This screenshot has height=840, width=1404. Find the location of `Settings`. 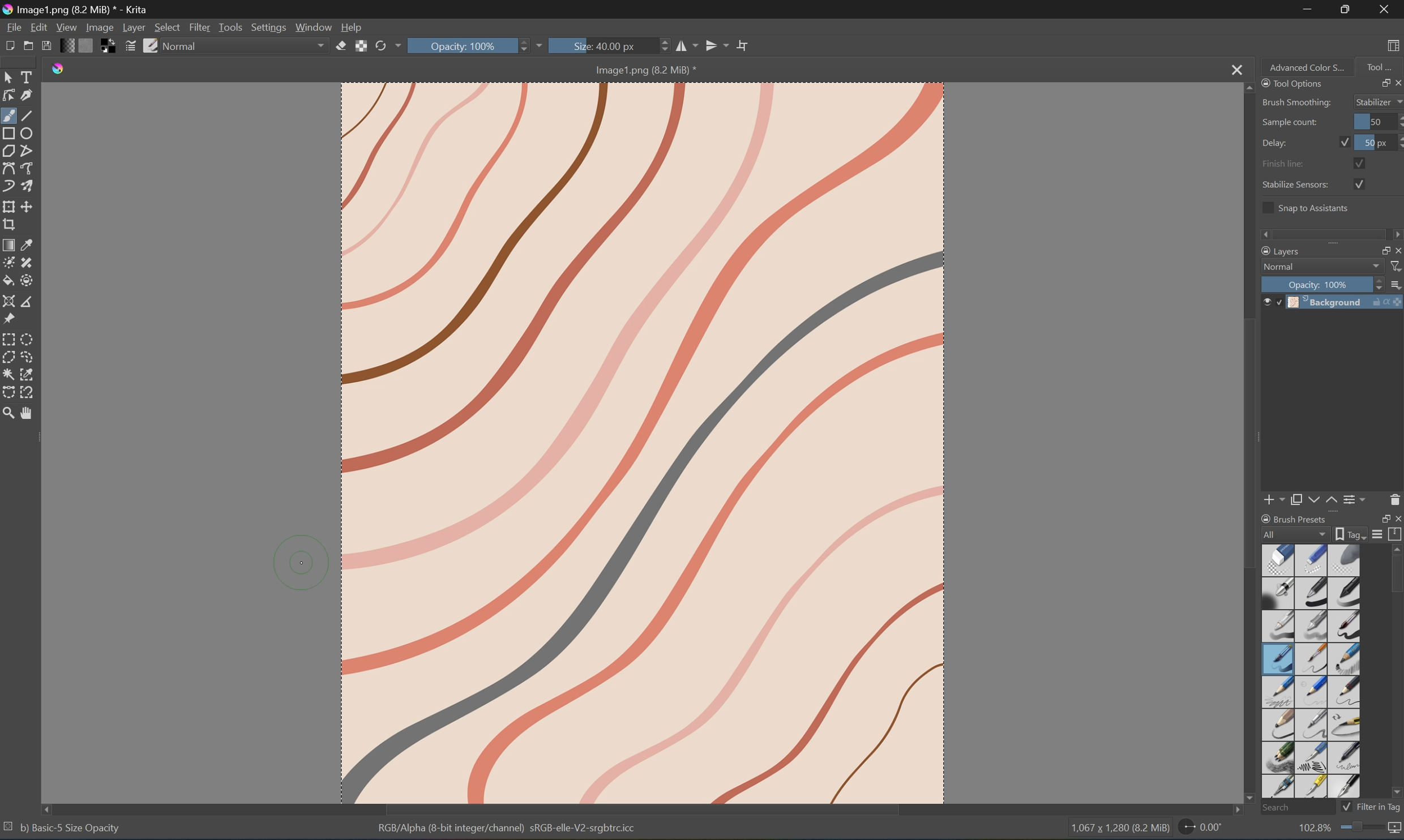

Settings is located at coordinates (268, 27).